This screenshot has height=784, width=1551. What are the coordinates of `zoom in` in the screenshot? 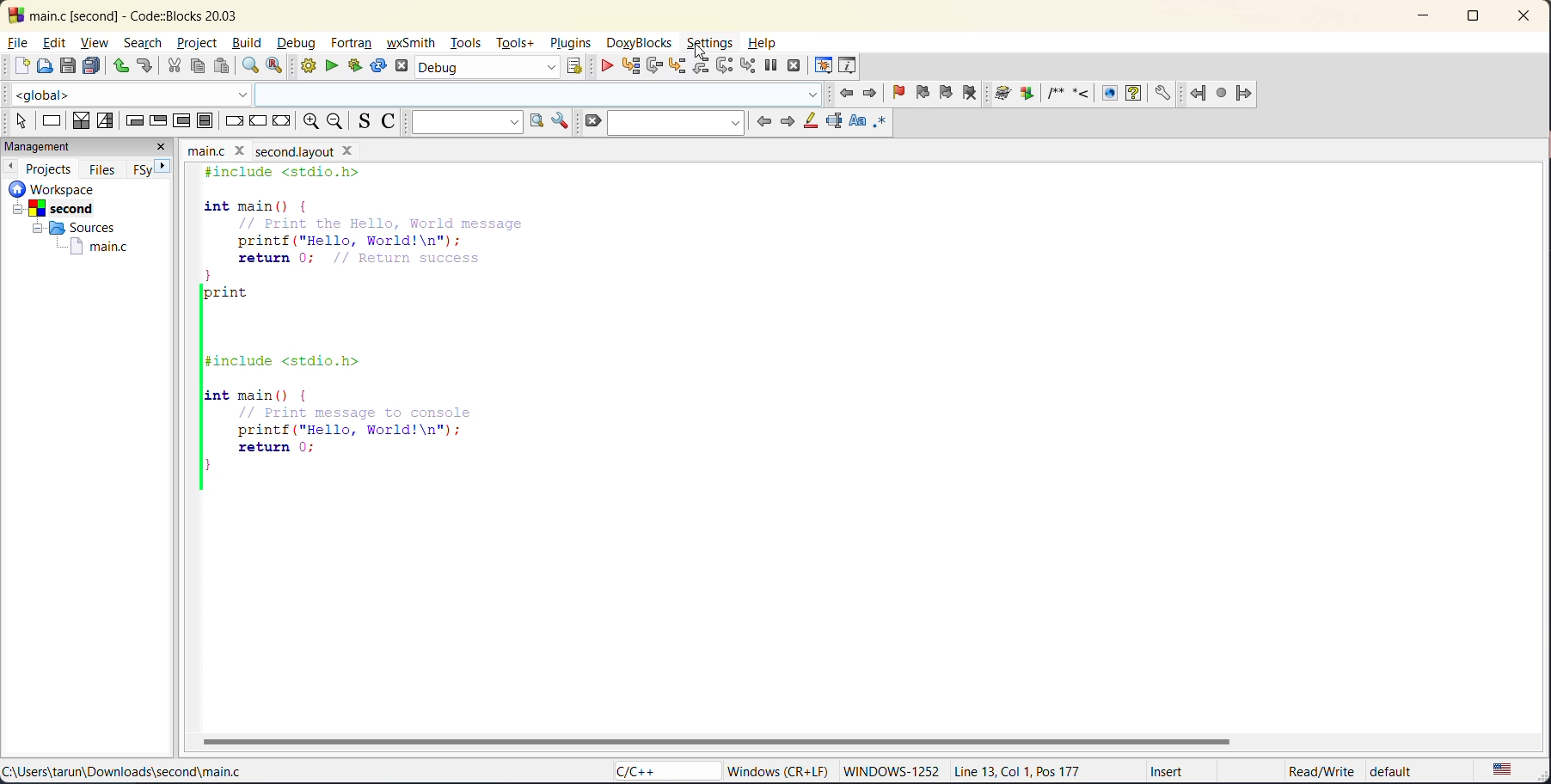 It's located at (309, 122).